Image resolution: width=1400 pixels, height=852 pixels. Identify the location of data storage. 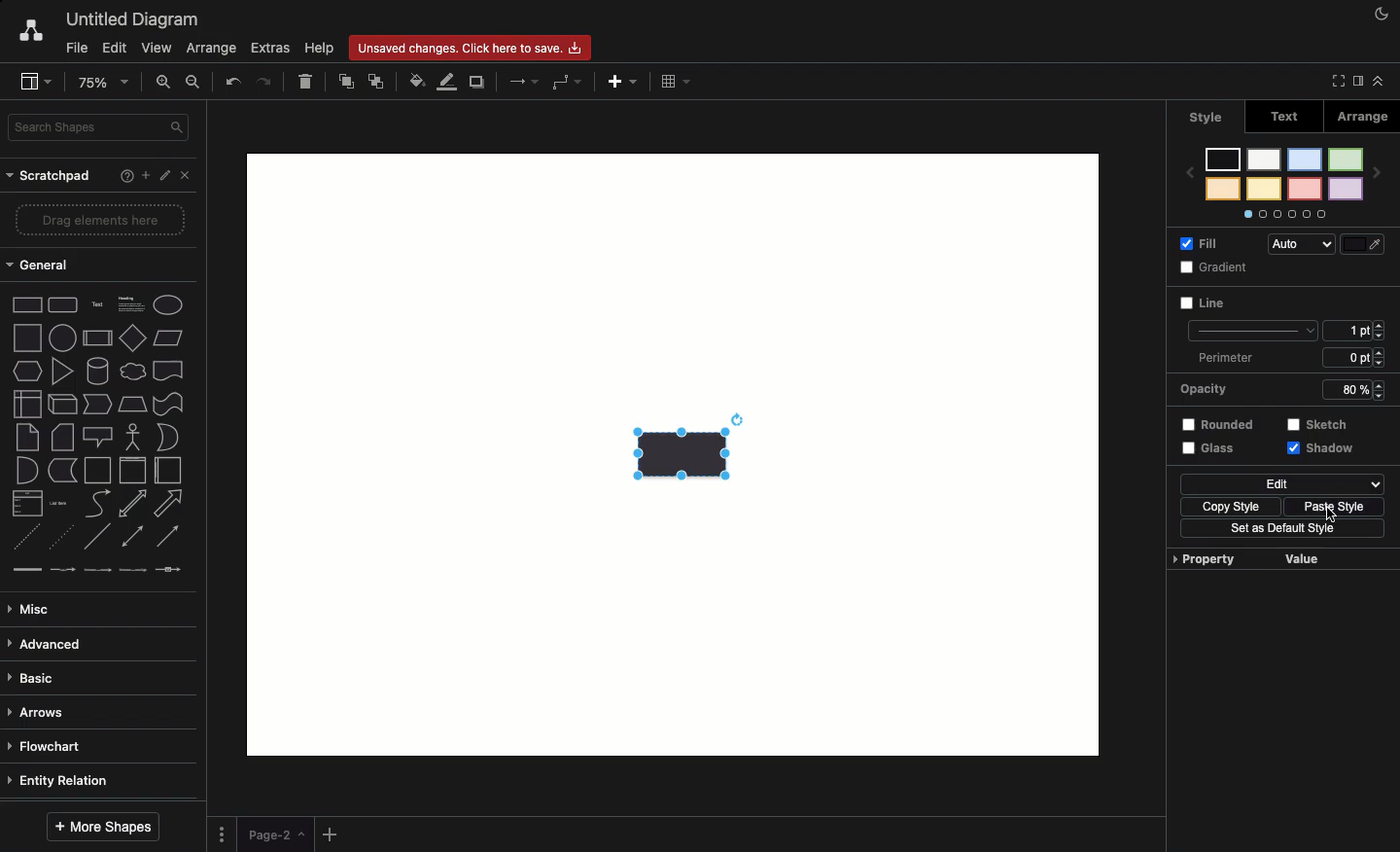
(63, 471).